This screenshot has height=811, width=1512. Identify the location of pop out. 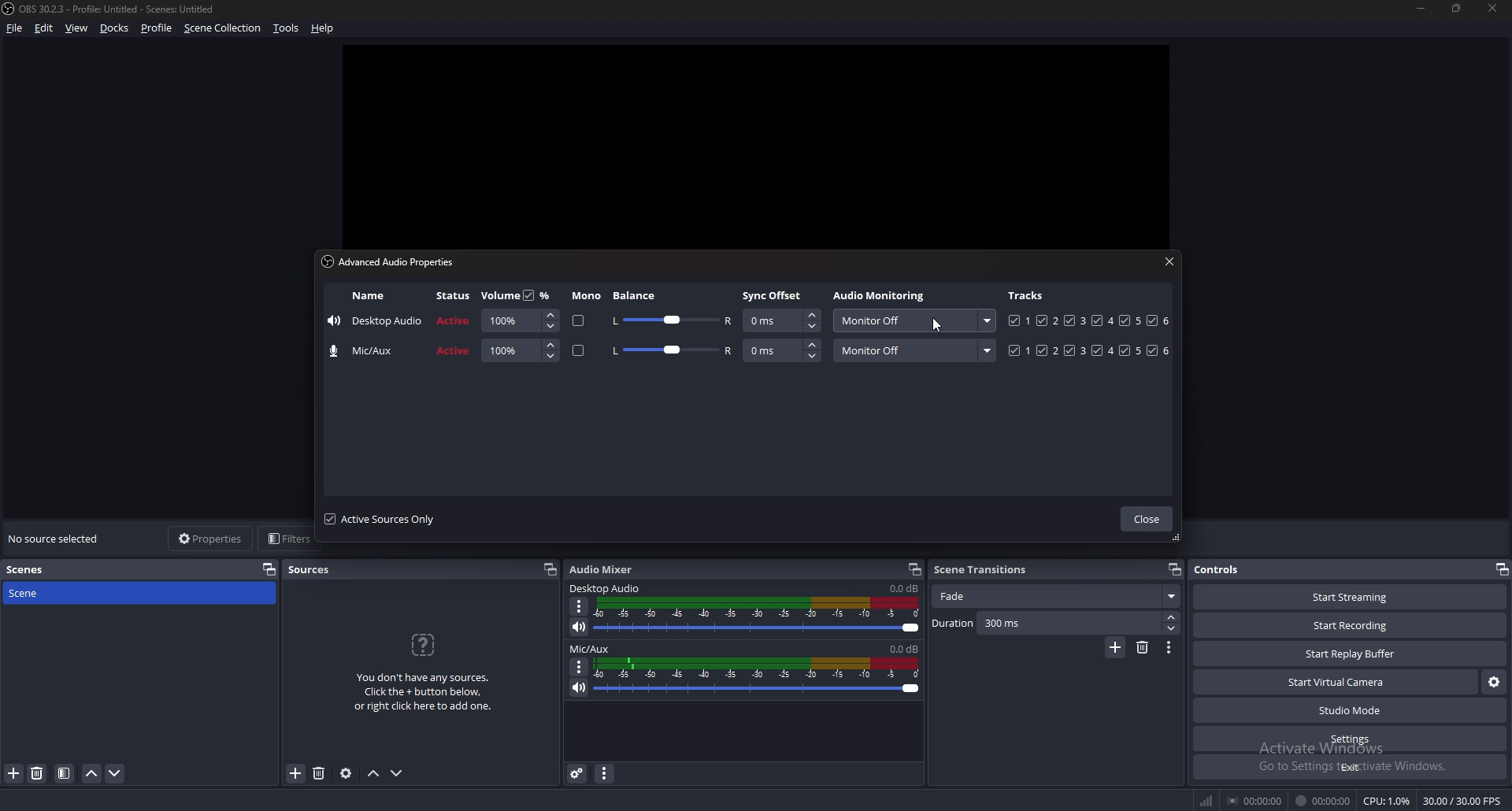
(269, 569).